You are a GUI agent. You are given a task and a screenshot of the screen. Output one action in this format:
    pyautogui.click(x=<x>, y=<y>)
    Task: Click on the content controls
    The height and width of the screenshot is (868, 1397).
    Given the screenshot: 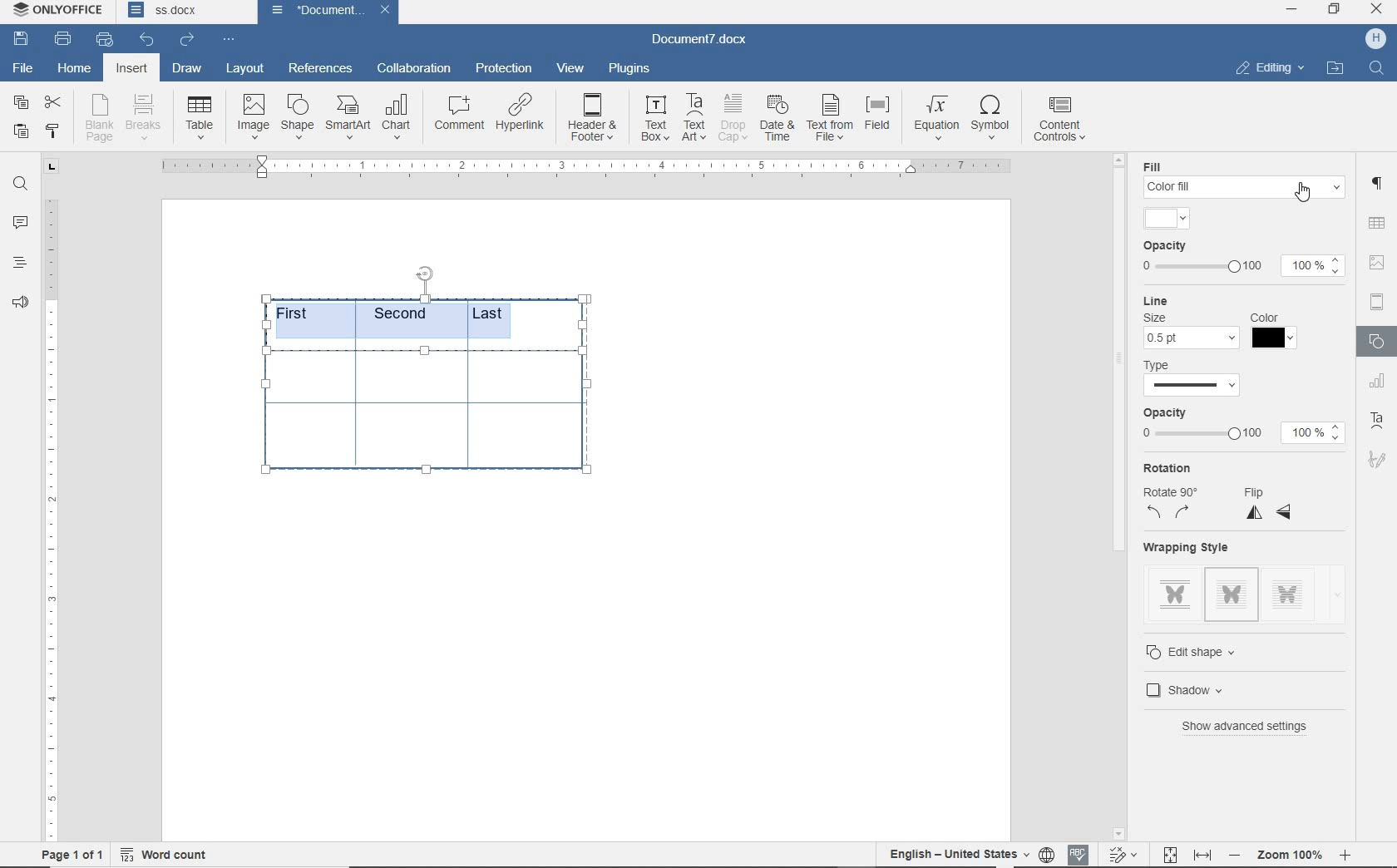 What is the action you would take?
    pyautogui.click(x=1063, y=121)
    